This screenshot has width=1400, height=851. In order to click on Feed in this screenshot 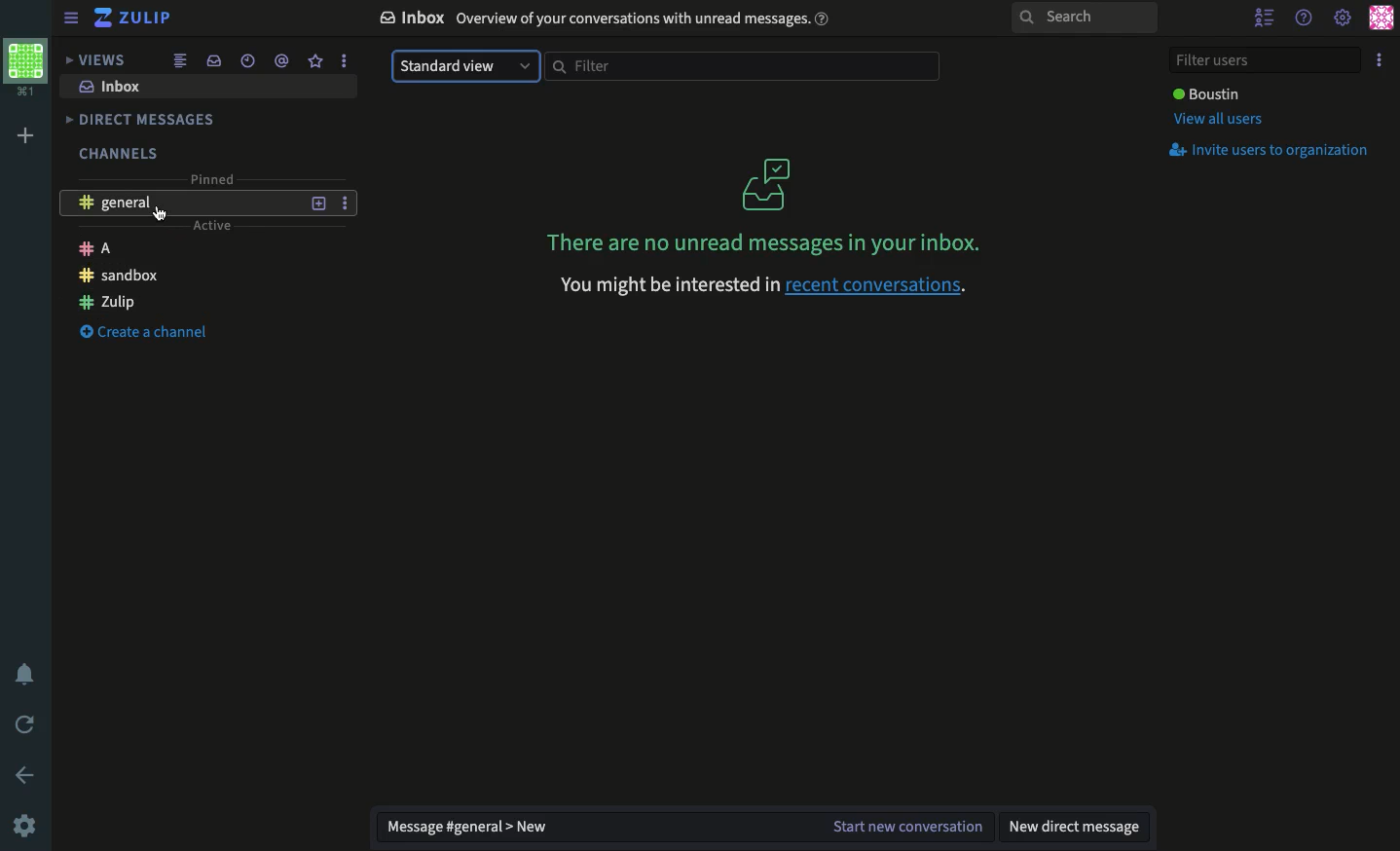, I will do `click(182, 59)`.